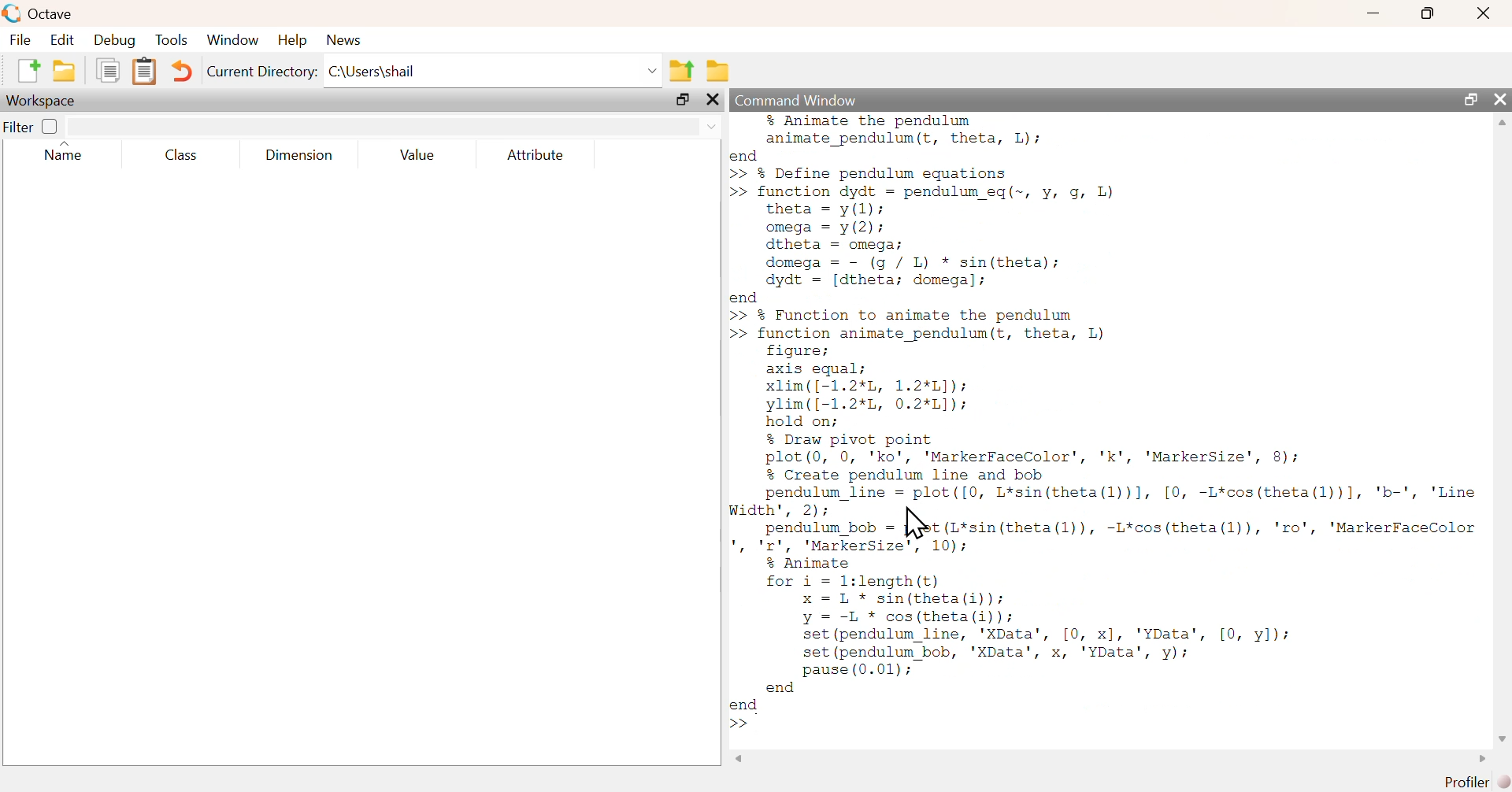 The image size is (1512, 792). What do you see at coordinates (30, 69) in the screenshot?
I see `new script` at bounding box center [30, 69].